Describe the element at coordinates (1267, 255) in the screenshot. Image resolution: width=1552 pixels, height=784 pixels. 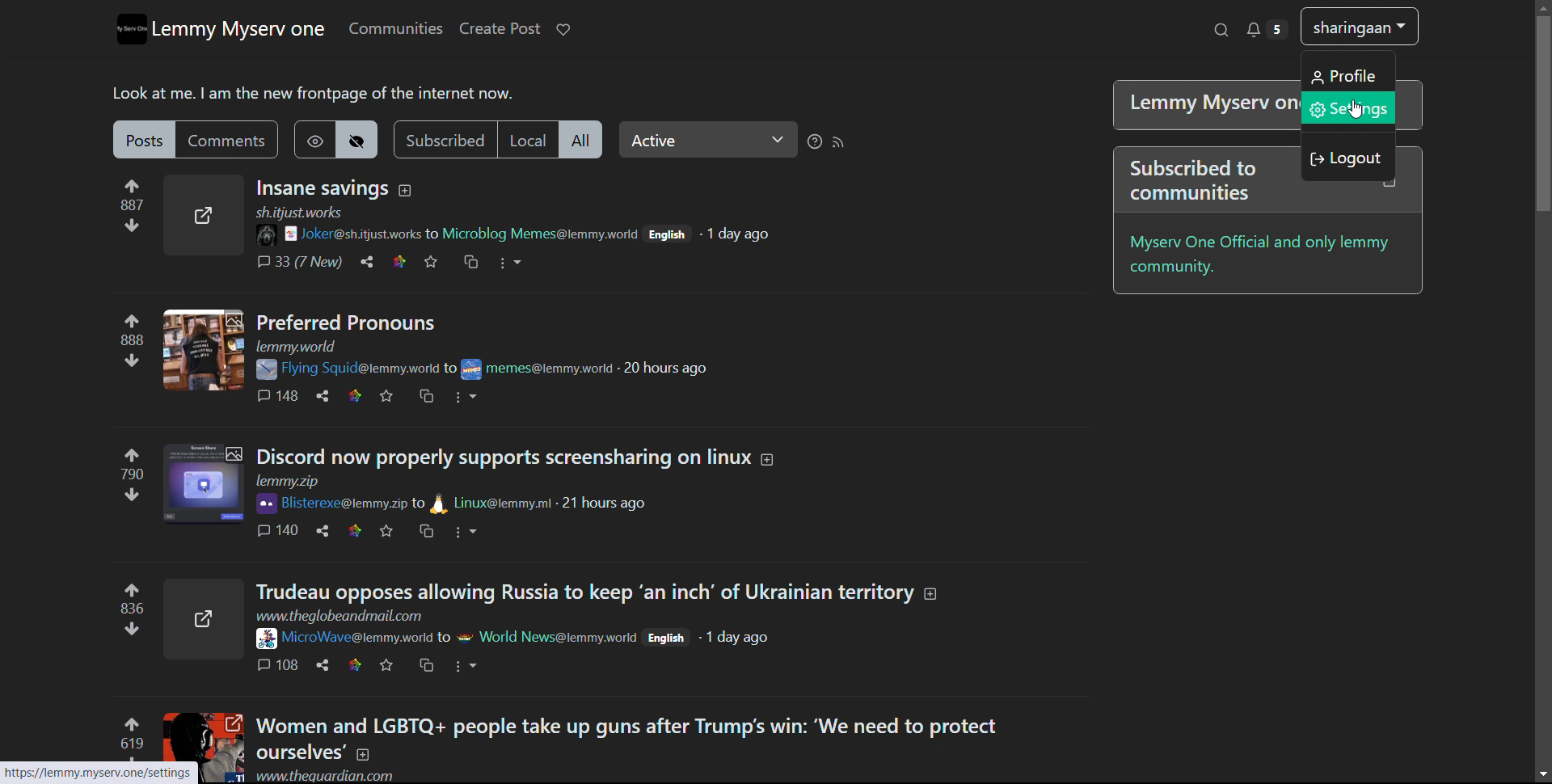
I see `myserv one official and only lemmy community` at that location.